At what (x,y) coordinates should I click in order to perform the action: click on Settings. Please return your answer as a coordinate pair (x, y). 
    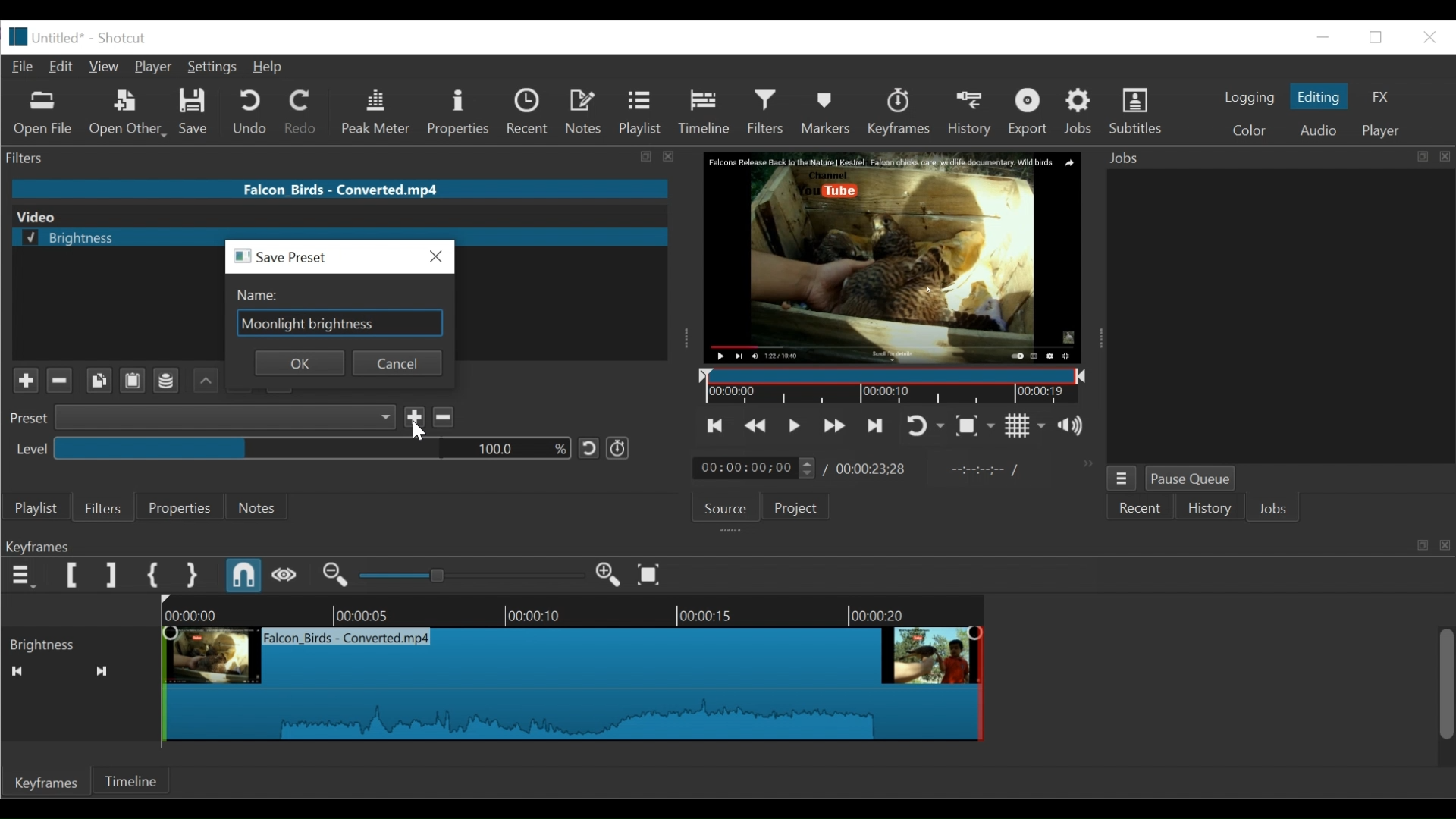
    Looking at the image, I should click on (215, 67).